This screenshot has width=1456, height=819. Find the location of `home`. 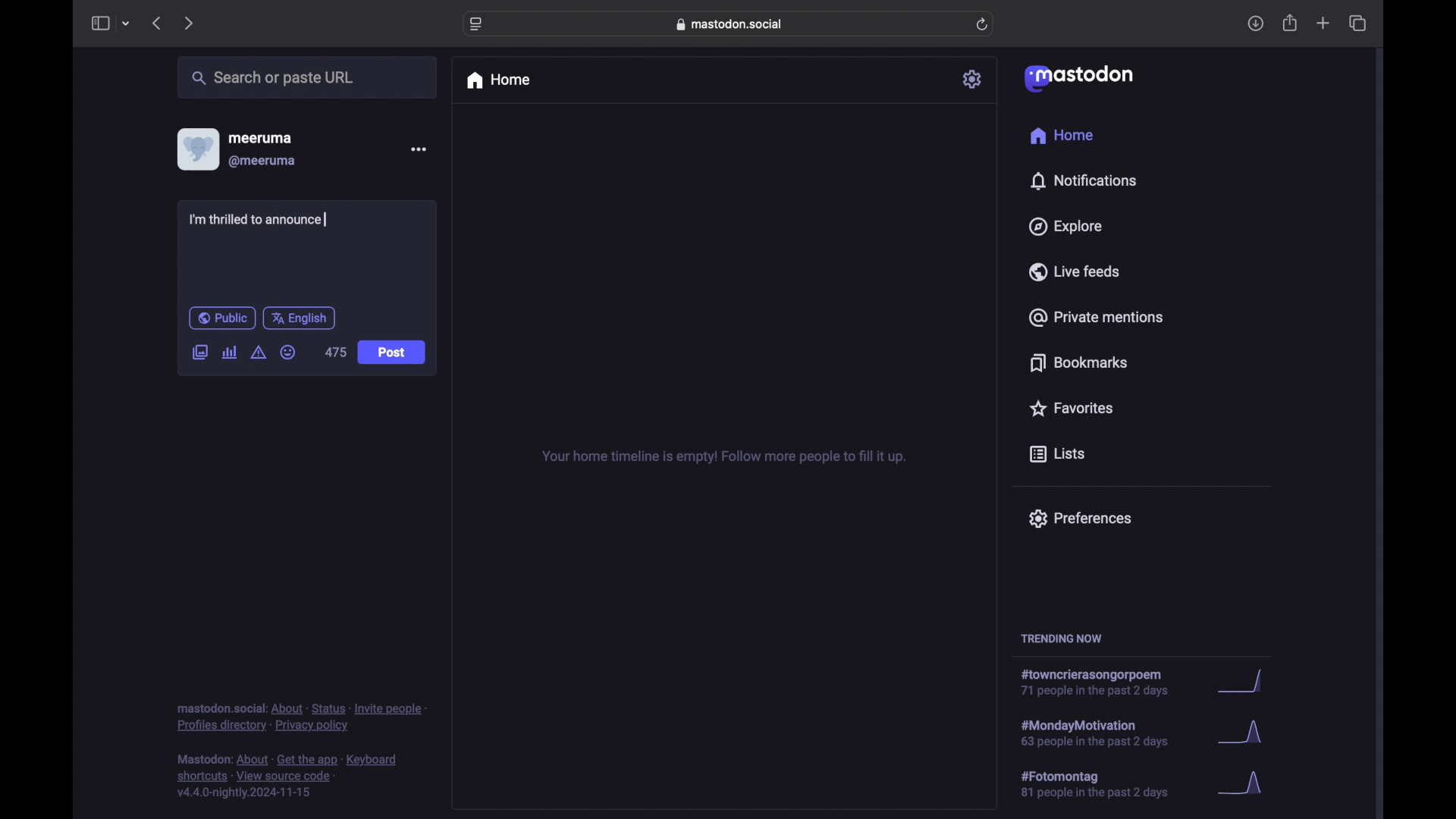

home is located at coordinates (1063, 135).